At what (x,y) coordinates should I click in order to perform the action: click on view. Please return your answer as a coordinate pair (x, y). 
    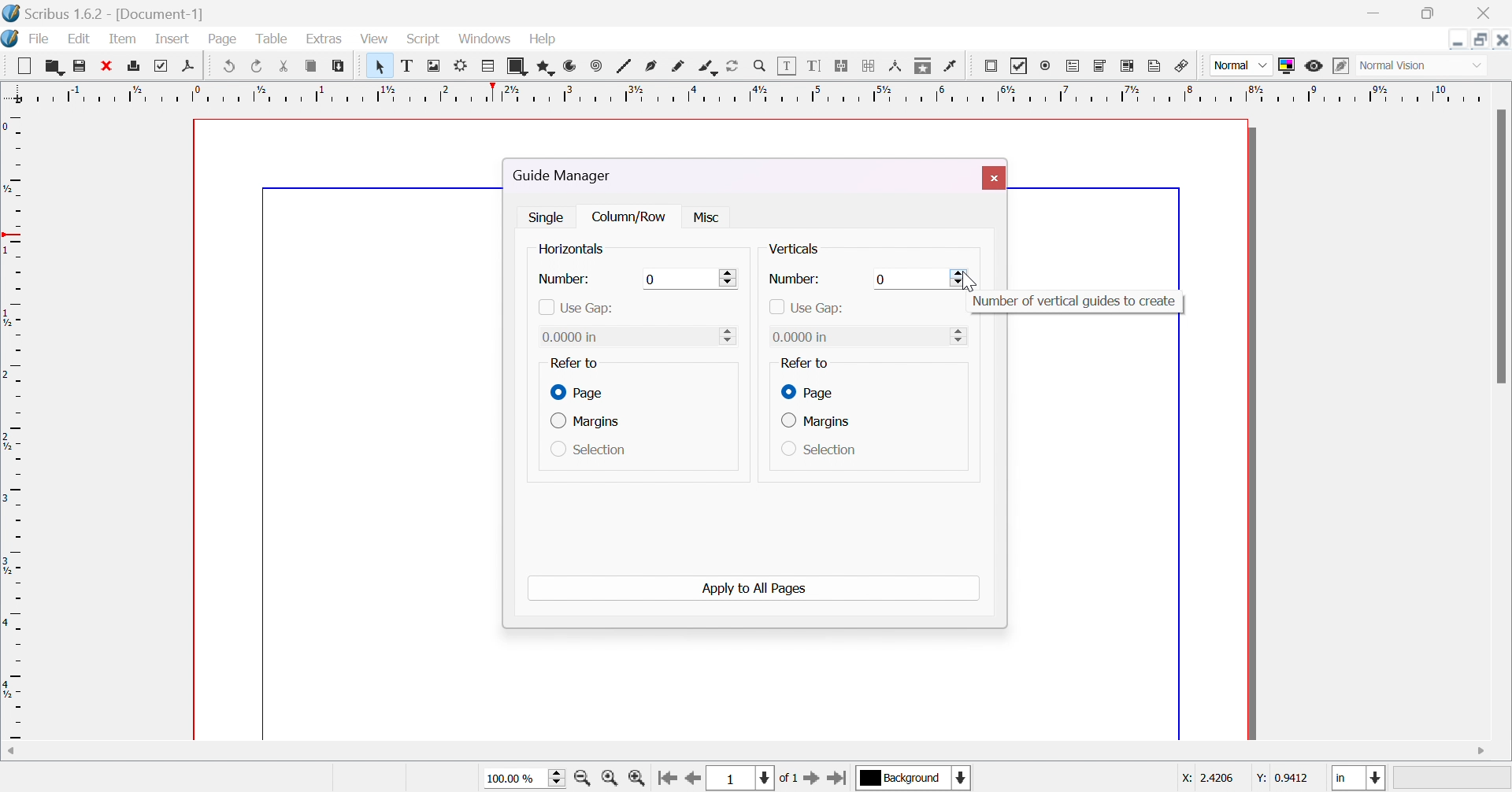
    Looking at the image, I should click on (375, 39).